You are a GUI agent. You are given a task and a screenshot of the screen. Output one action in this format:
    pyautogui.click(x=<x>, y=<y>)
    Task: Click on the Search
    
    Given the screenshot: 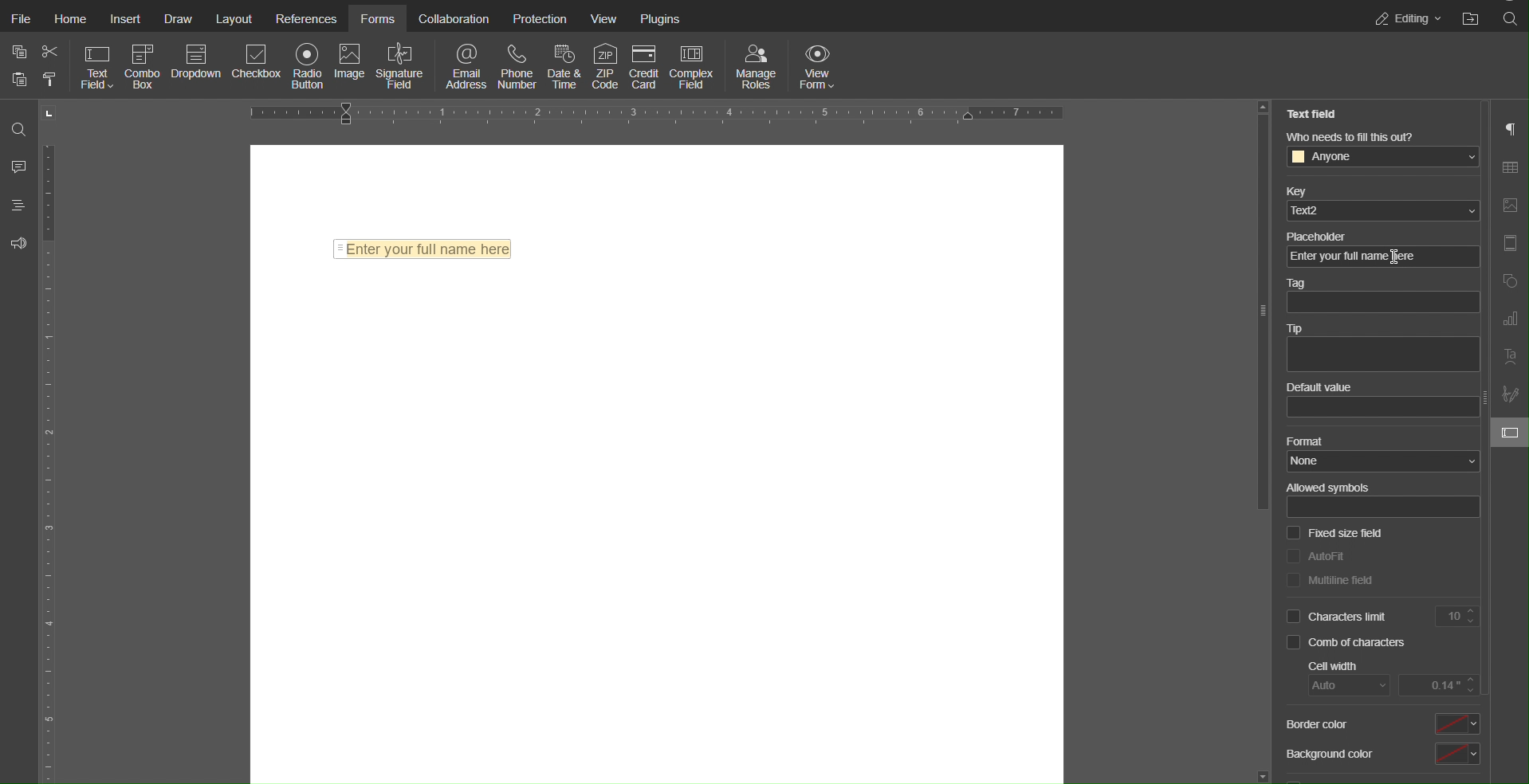 What is the action you would take?
    pyautogui.click(x=1510, y=18)
    